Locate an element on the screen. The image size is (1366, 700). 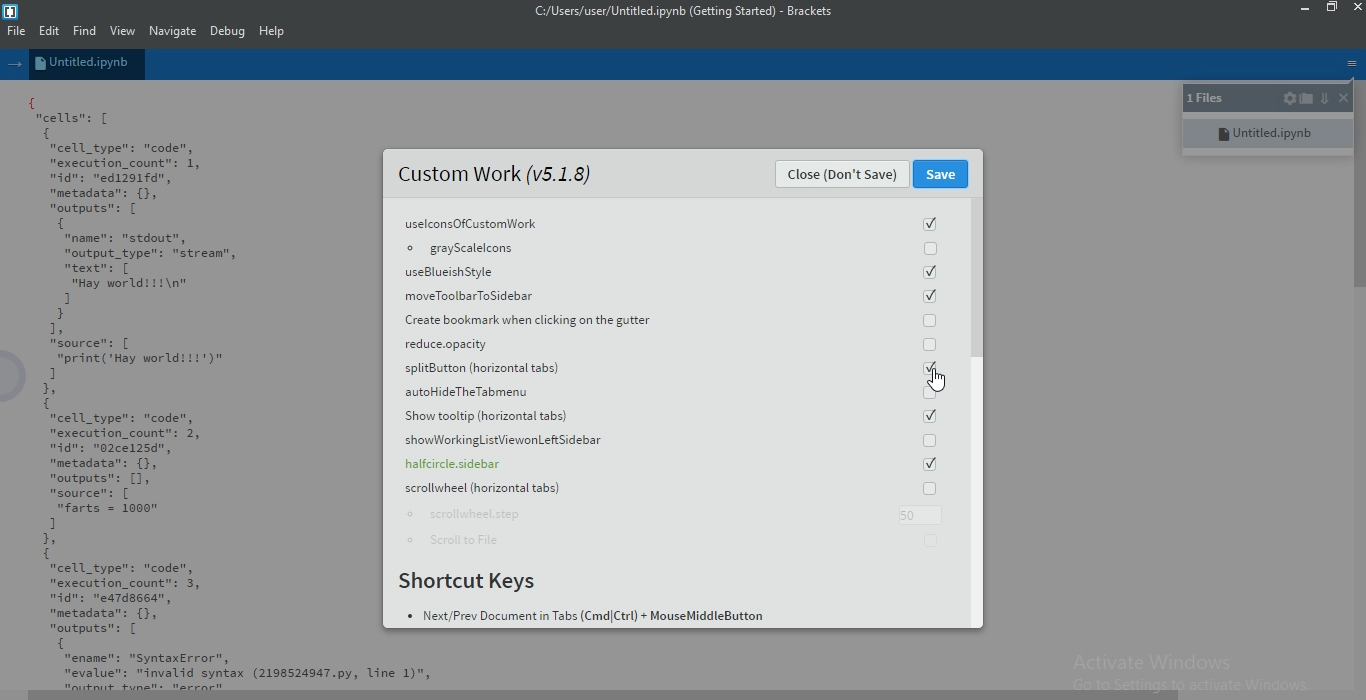
Edit is located at coordinates (53, 31).